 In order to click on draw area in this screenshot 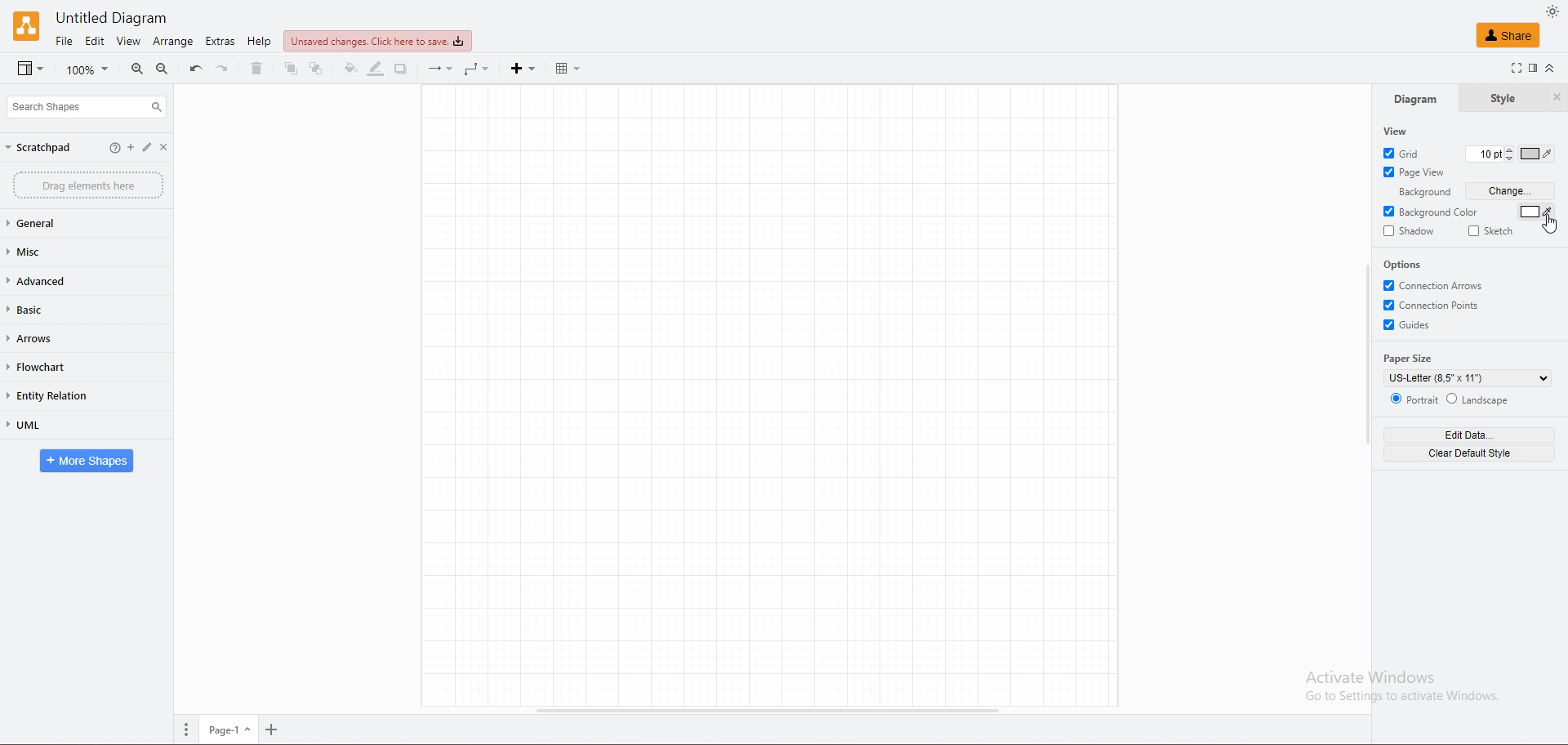, I will do `click(770, 395)`.